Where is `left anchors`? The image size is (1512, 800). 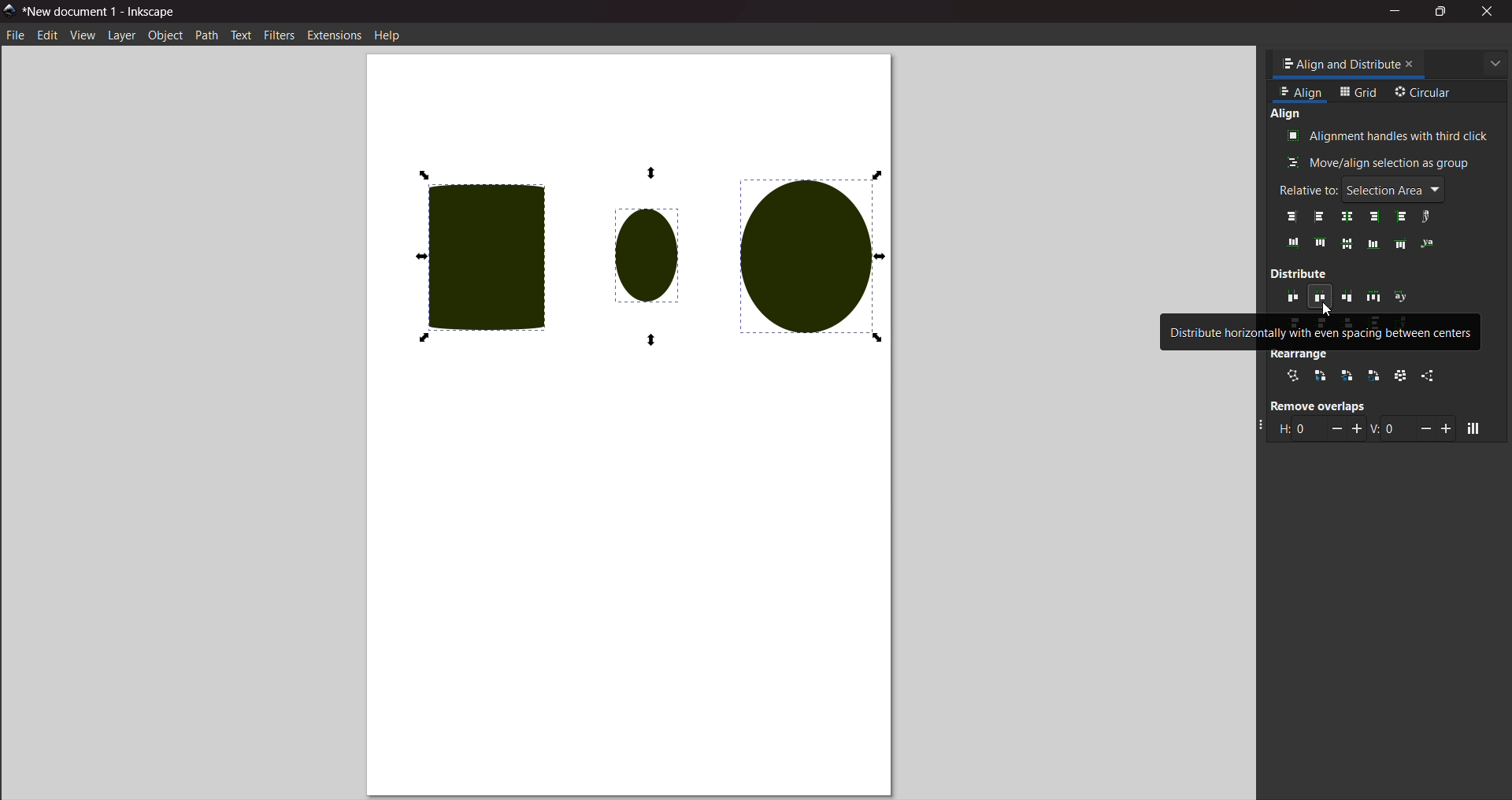
left anchors is located at coordinates (1405, 217).